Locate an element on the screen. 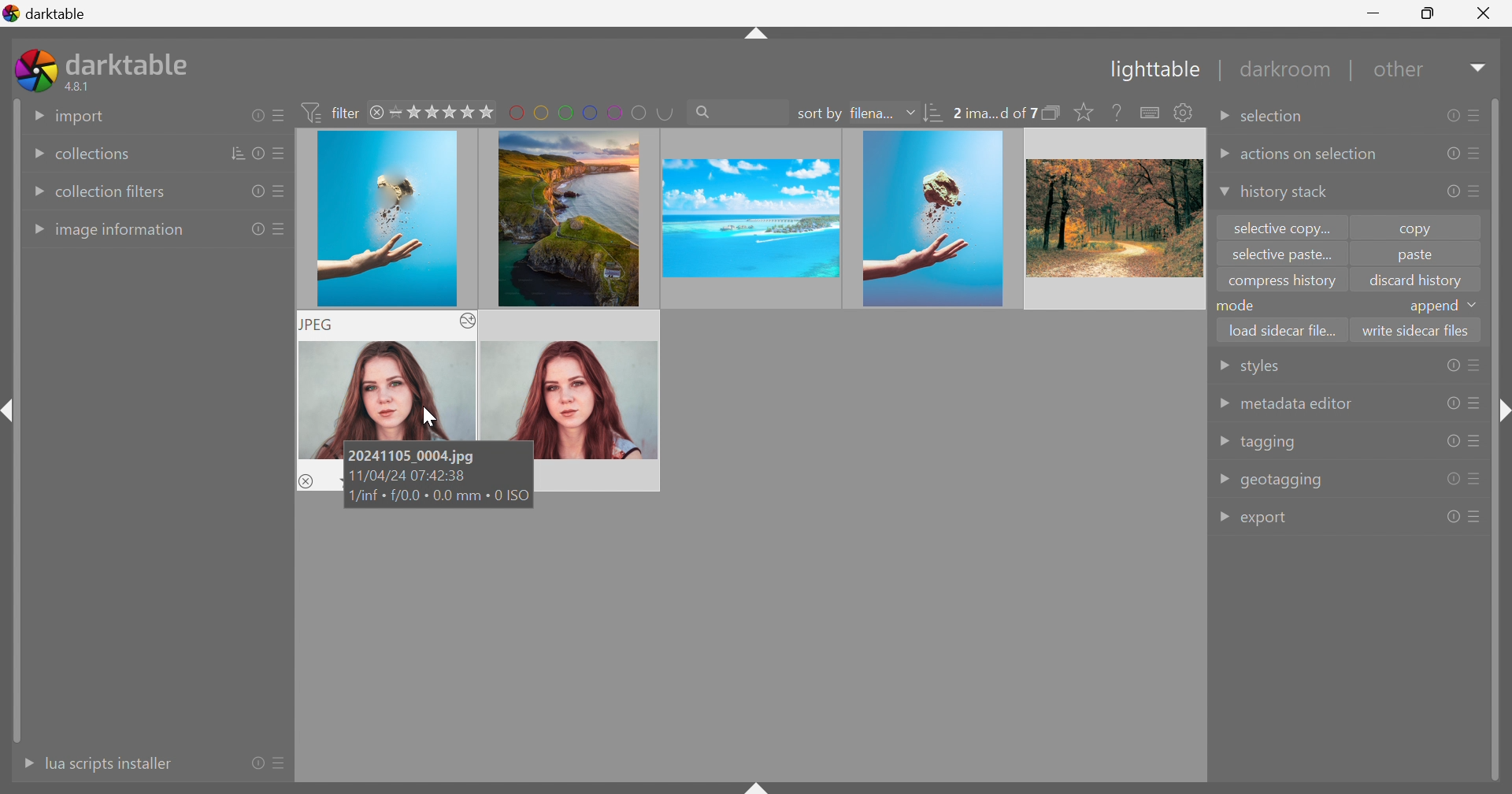 Image resolution: width=1512 pixels, height=794 pixels. reset is located at coordinates (254, 192).